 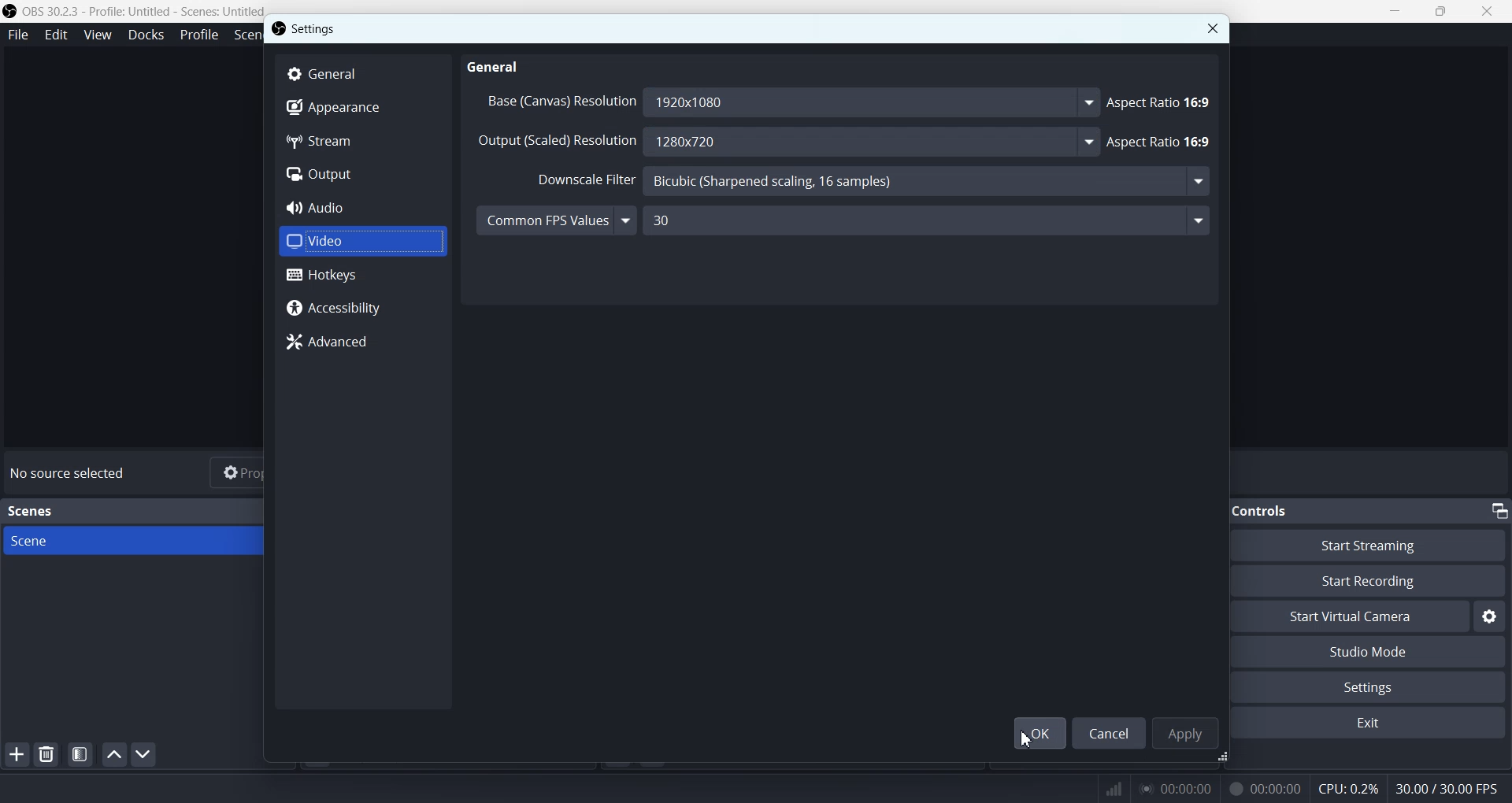 What do you see at coordinates (46, 753) in the screenshot?
I see `Remove selected scene` at bounding box center [46, 753].